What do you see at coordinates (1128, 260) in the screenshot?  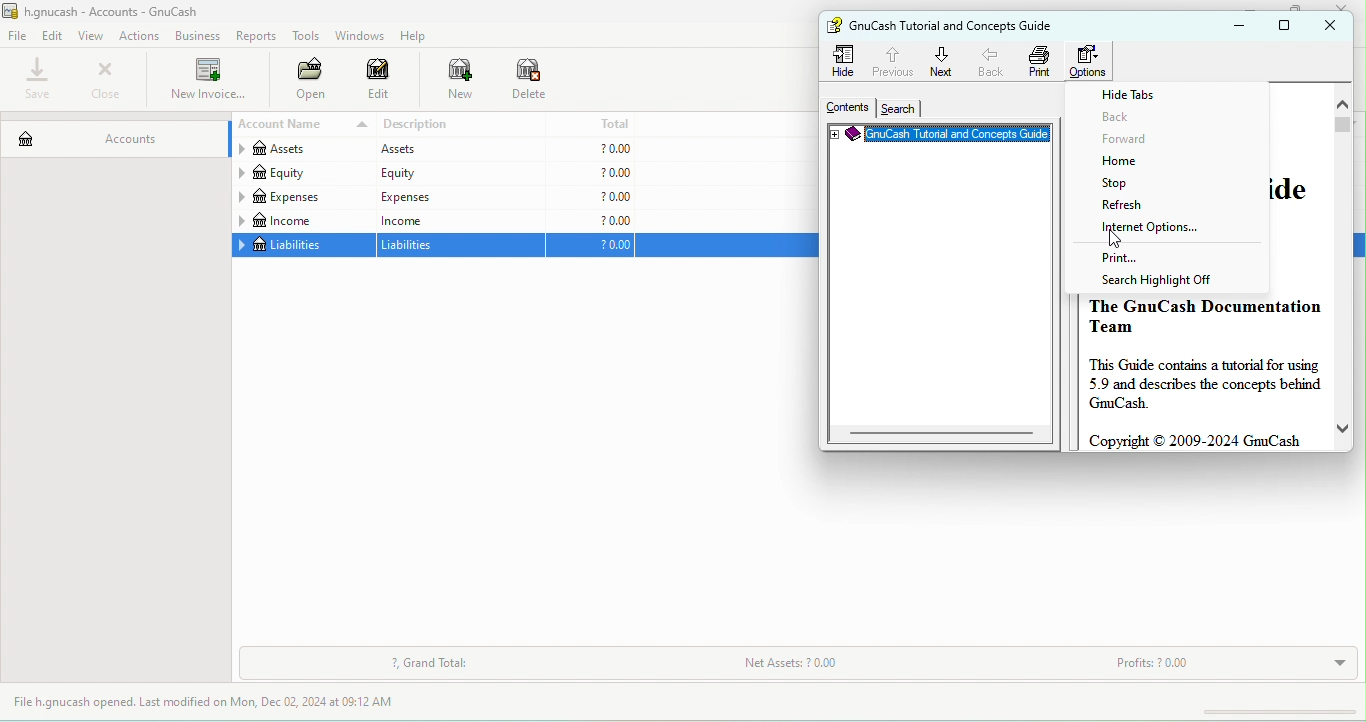 I see `print` at bounding box center [1128, 260].